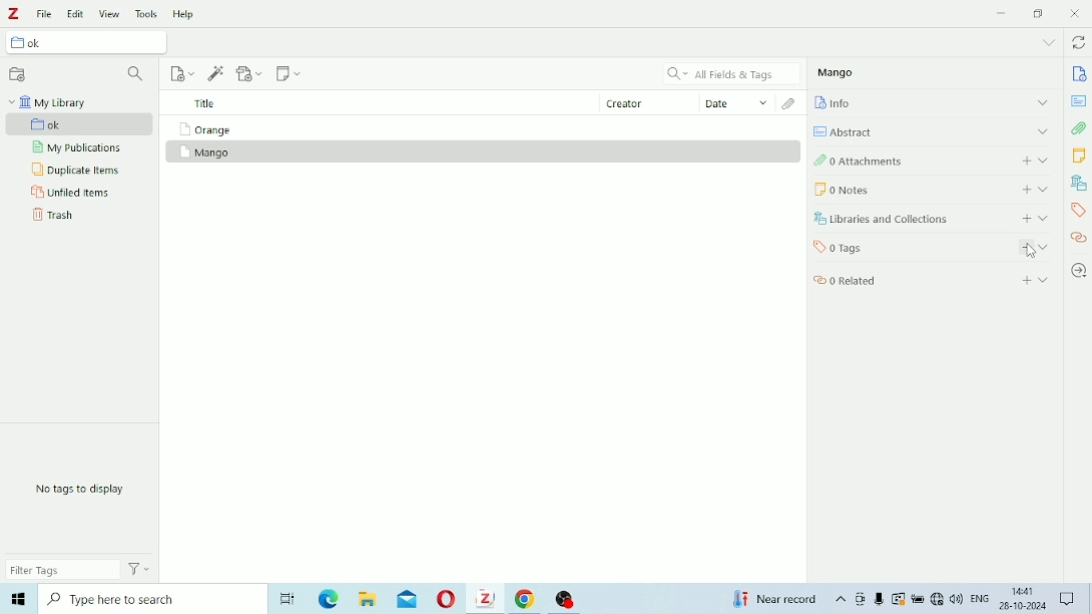 This screenshot has width=1092, height=614. I want to click on Microsoft Edge, so click(328, 600).